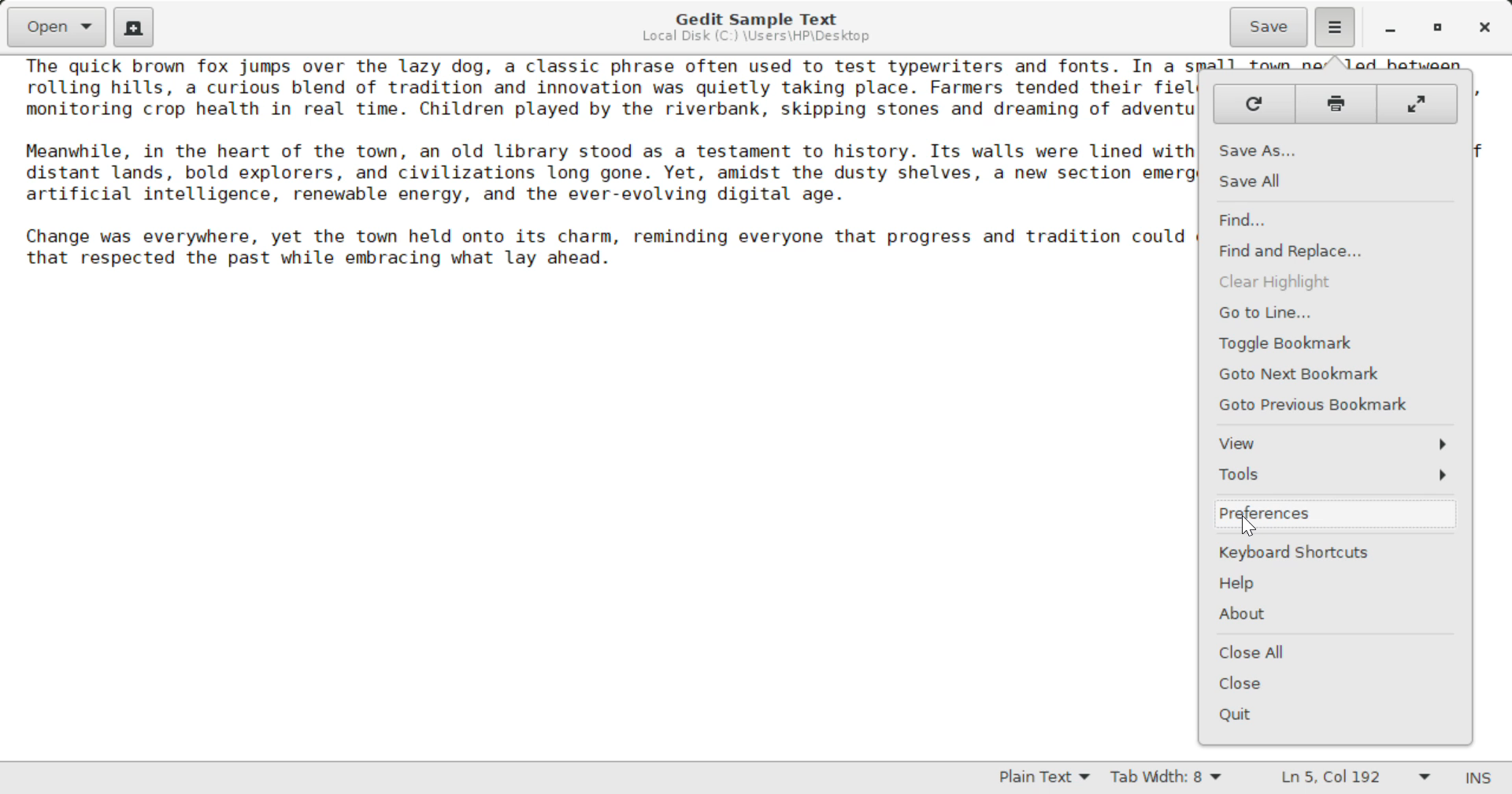 The height and width of the screenshot is (794, 1512). Describe the element at coordinates (1254, 583) in the screenshot. I see `Help` at that location.